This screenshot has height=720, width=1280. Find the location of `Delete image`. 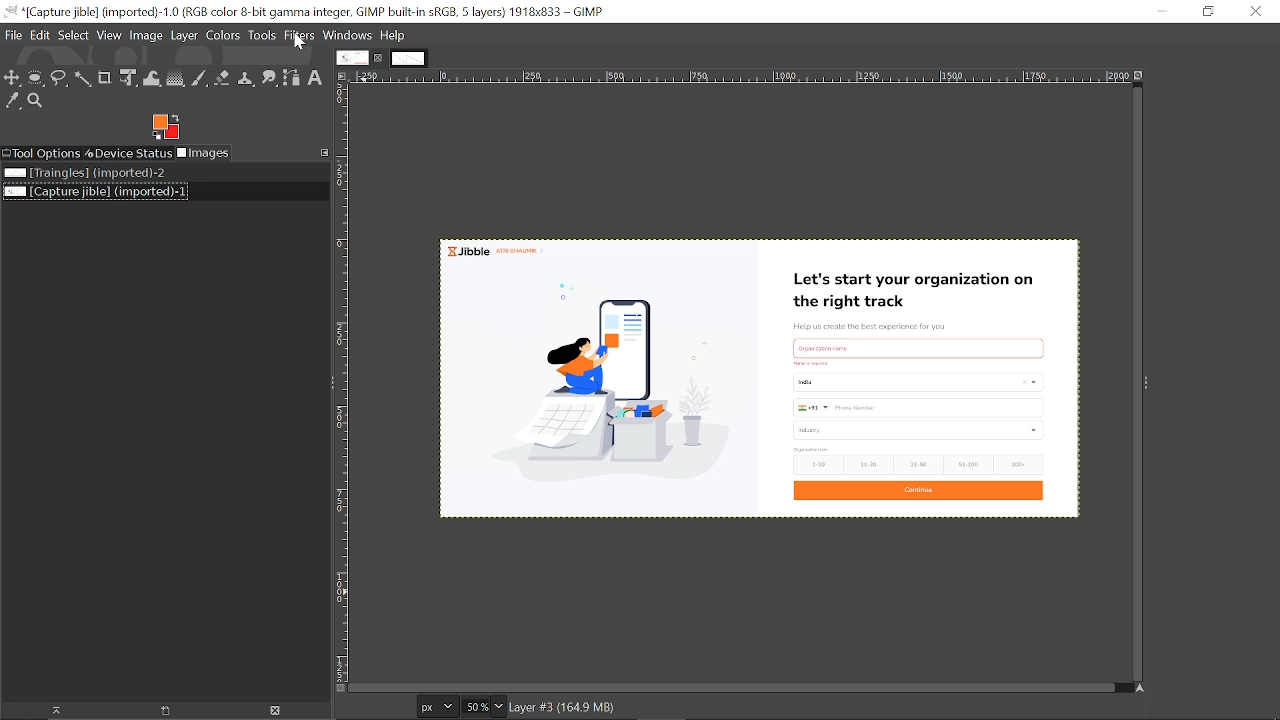

Delete image is located at coordinates (282, 710).